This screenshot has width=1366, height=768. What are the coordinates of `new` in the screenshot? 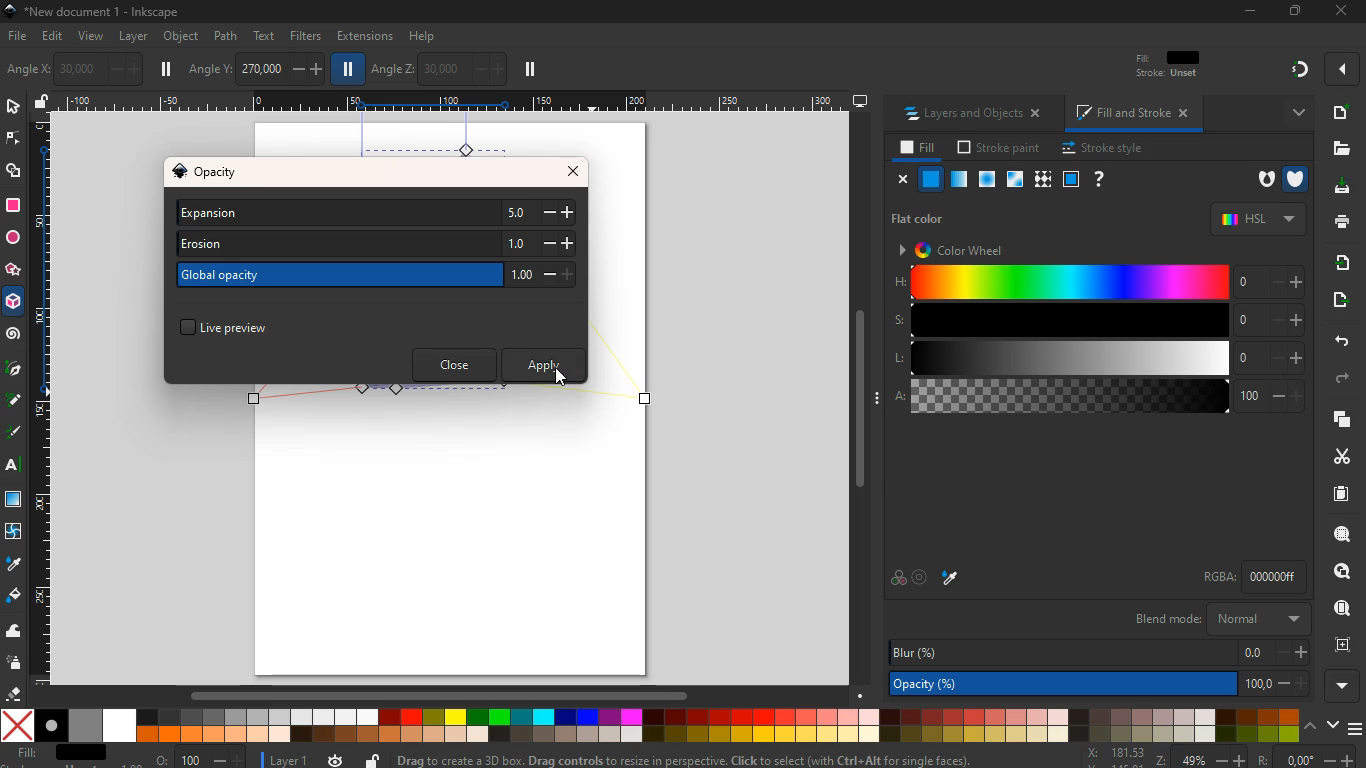 It's located at (1340, 112).